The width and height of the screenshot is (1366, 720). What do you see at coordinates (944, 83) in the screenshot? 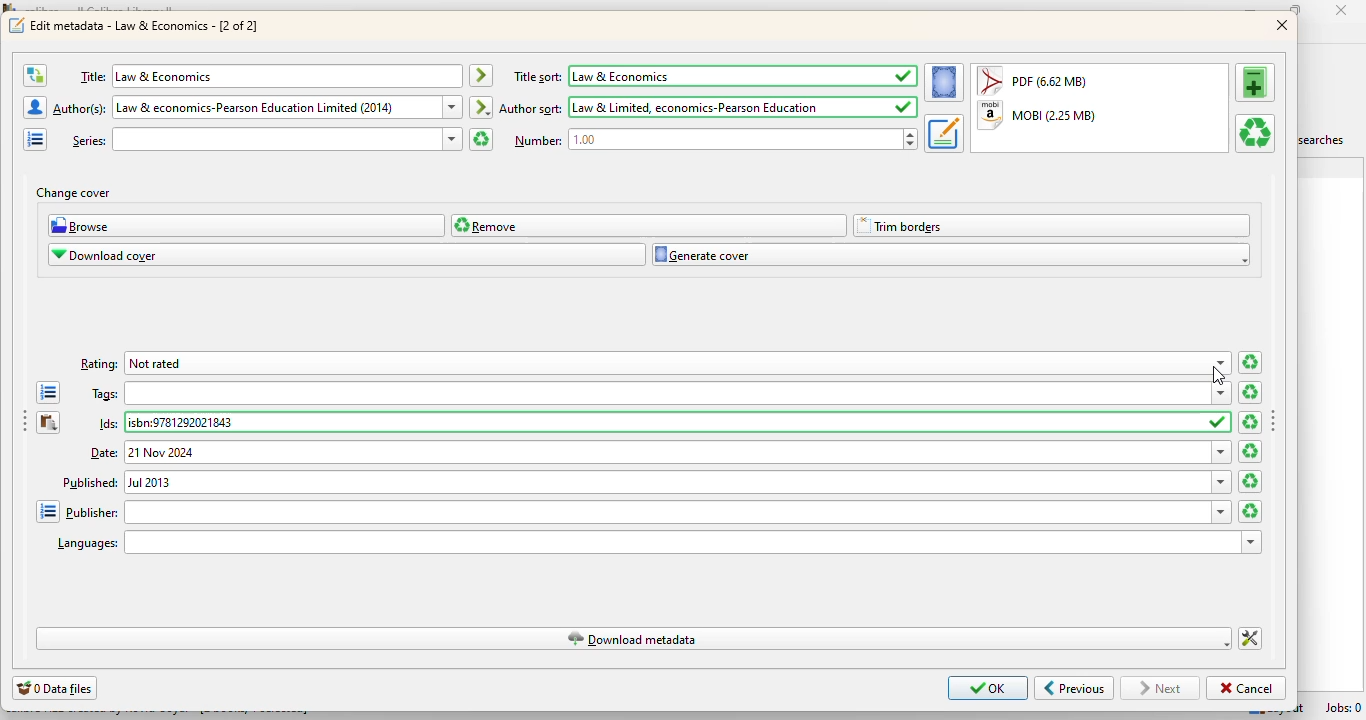
I see `set the cover for the book from the selected format` at bounding box center [944, 83].